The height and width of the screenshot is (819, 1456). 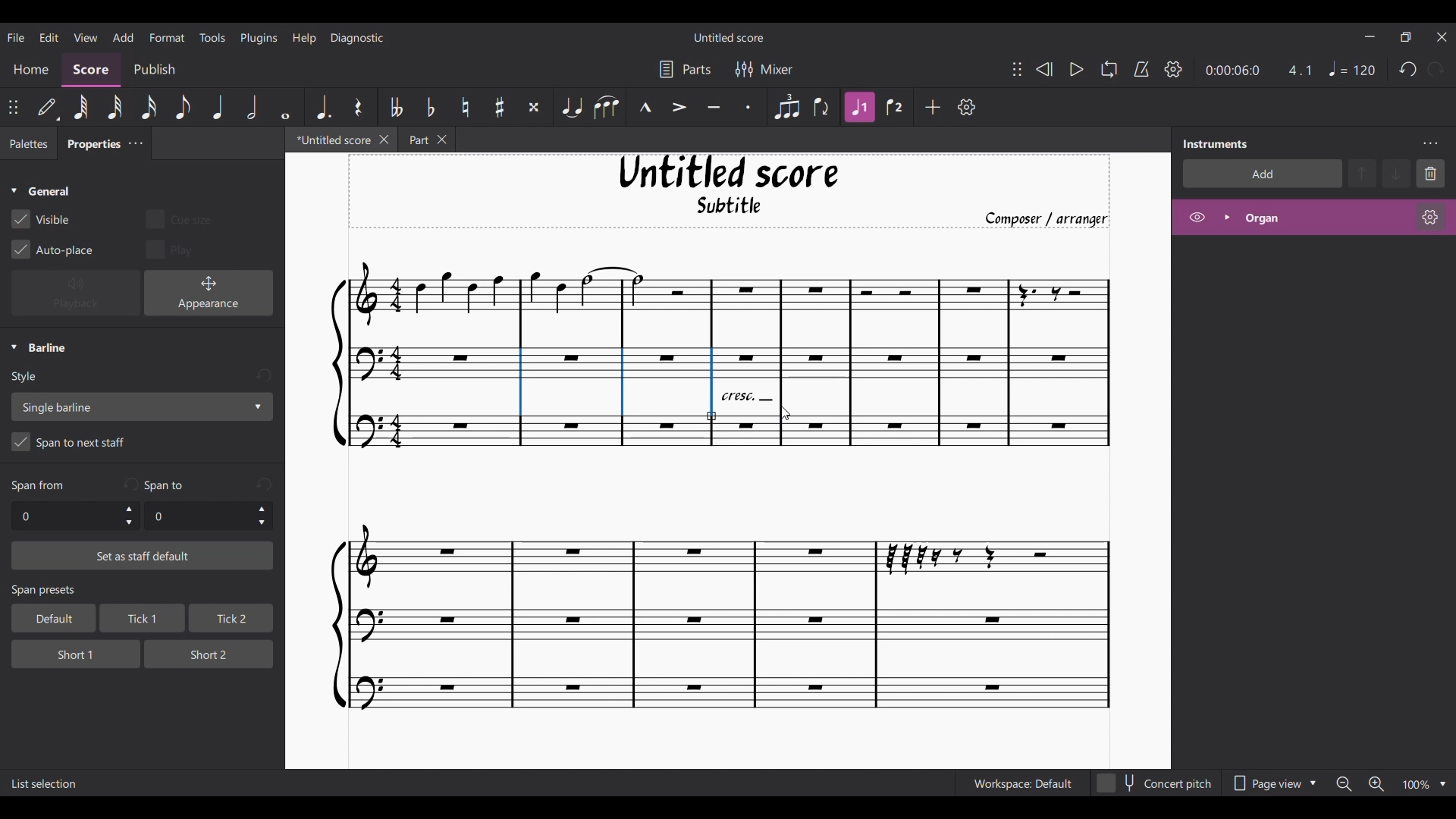 I want to click on Toggle for Cue size, so click(x=178, y=218).